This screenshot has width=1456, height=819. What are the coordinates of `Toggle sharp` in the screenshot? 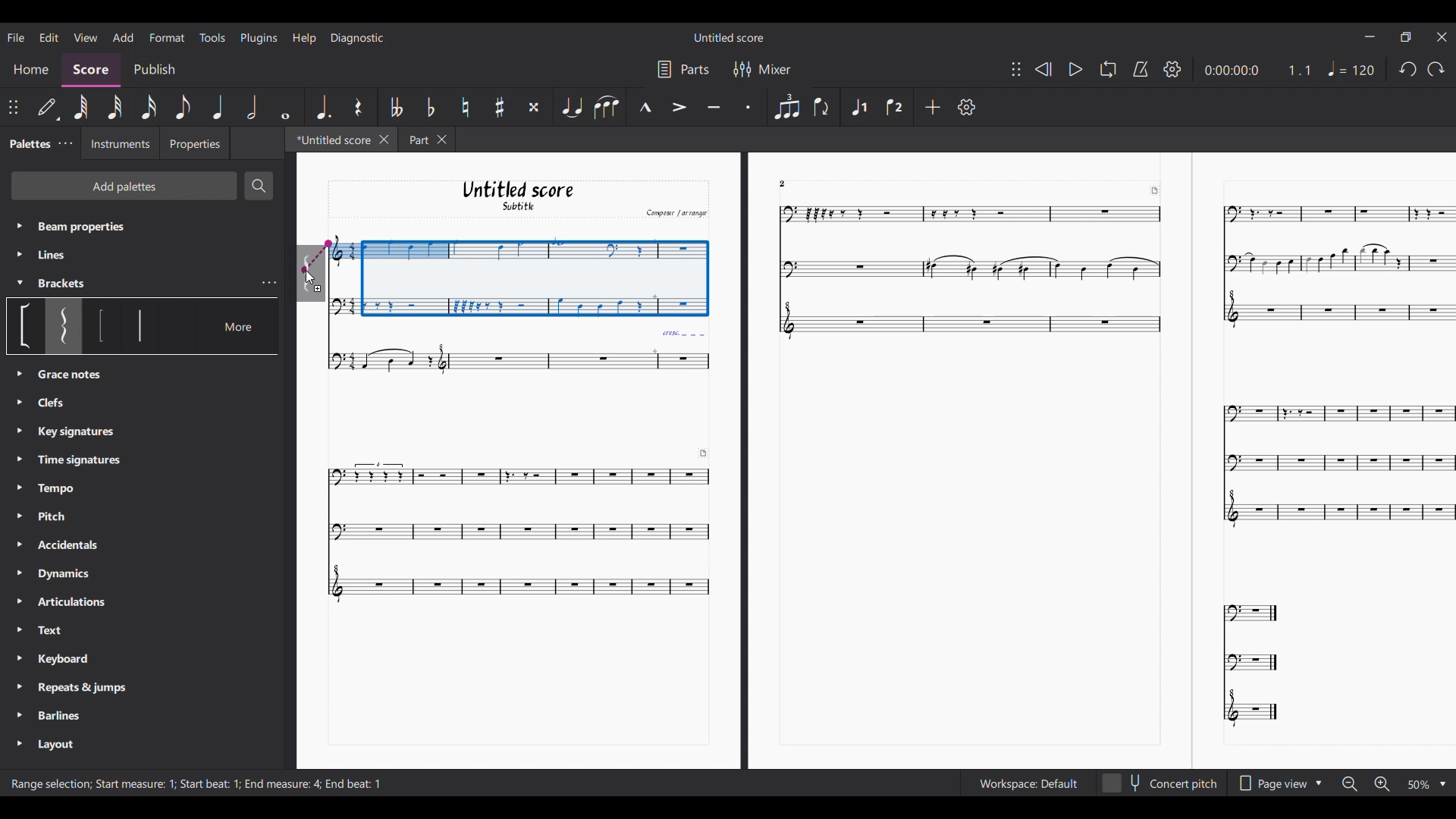 It's located at (500, 107).